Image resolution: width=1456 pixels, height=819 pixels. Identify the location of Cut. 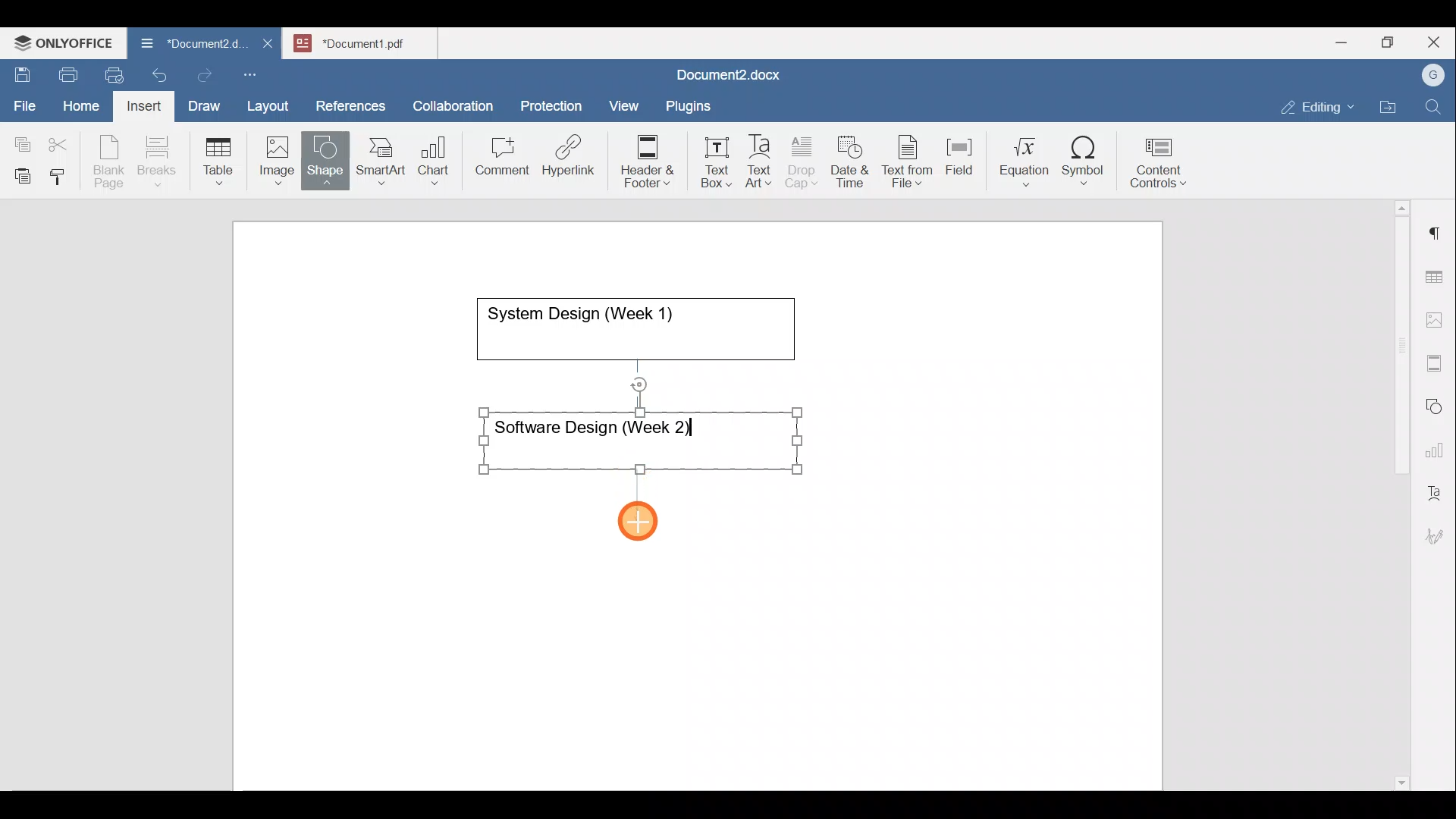
(64, 141).